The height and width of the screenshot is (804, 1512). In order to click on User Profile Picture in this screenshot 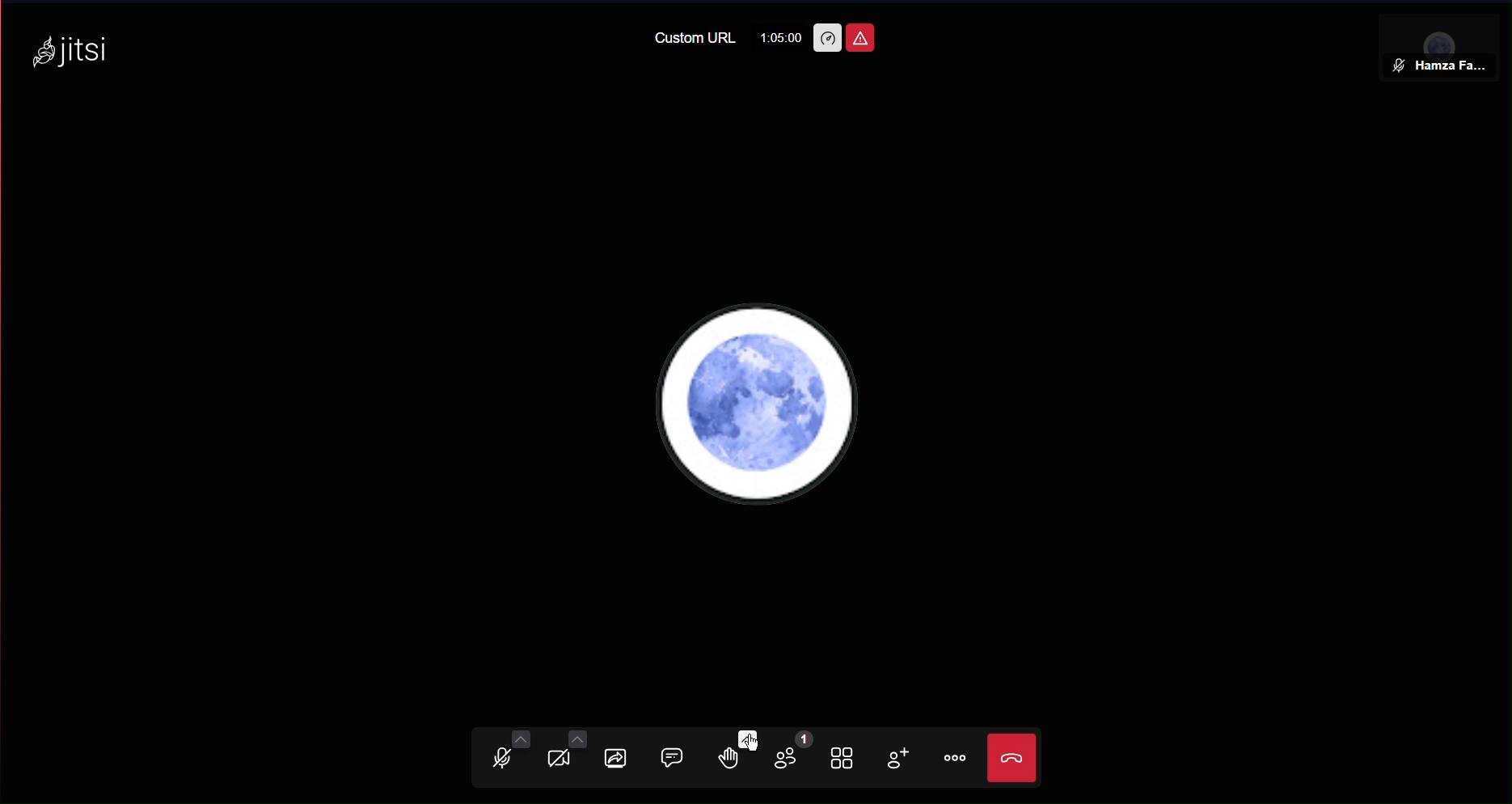, I will do `click(761, 403)`.